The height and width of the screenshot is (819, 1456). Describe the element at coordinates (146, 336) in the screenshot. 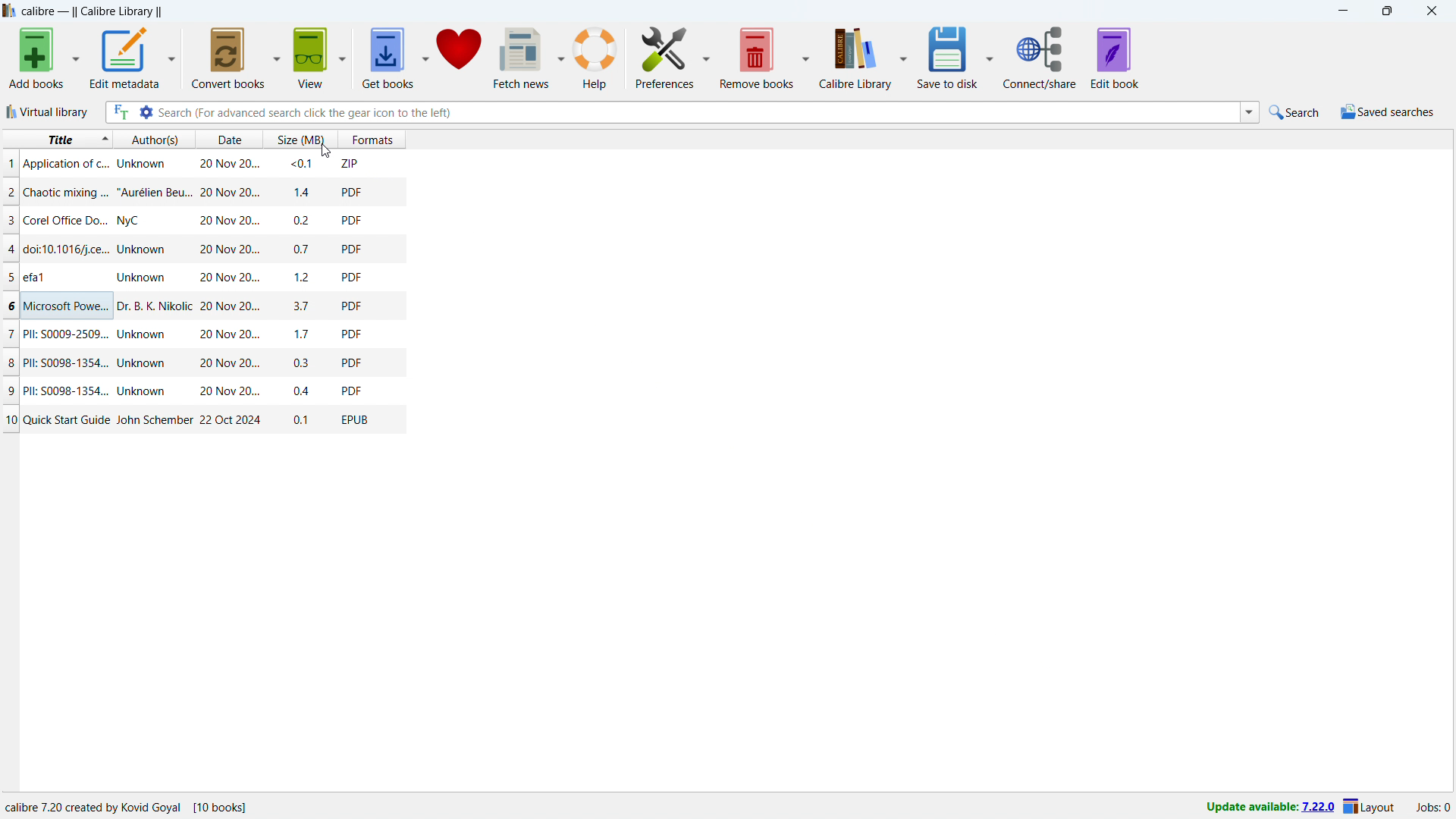

I see `author` at that location.